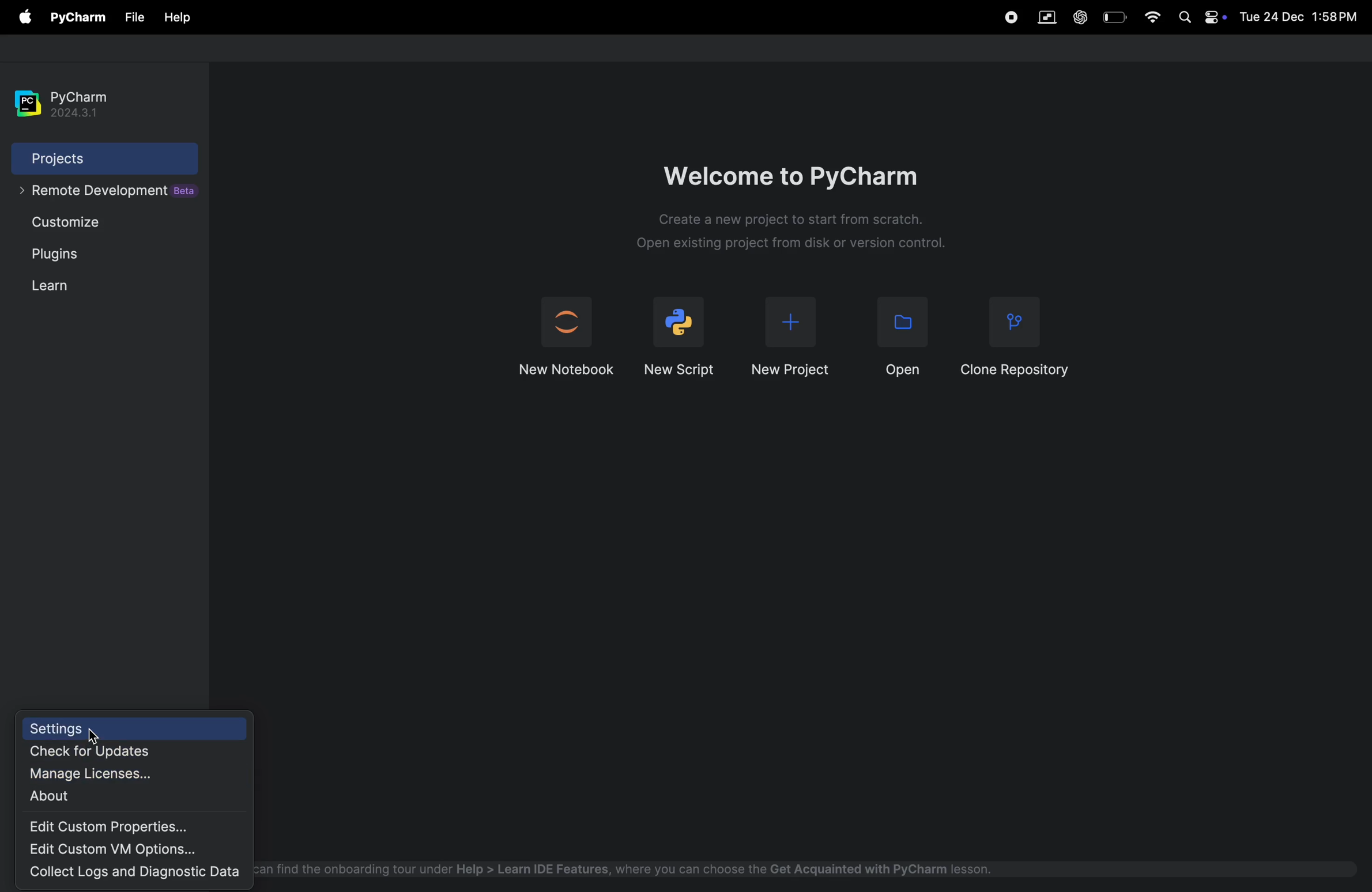 This screenshot has height=892, width=1372. Describe the element at coordinates (114, 849) in the screenshot. I see `Edit Custom VM options` at that location.